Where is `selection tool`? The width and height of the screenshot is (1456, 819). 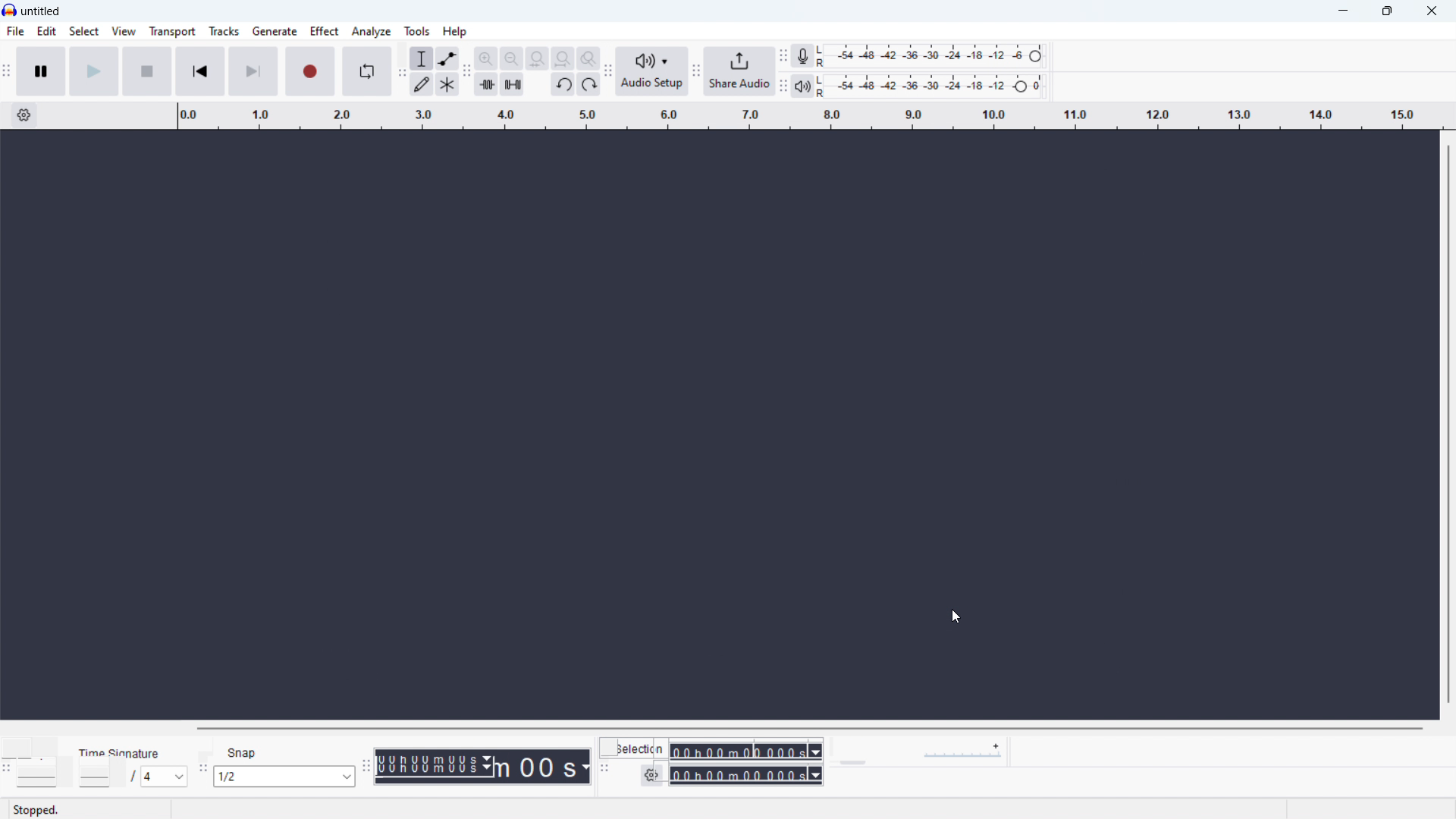
selection tool is located at coordinates (421, 58).